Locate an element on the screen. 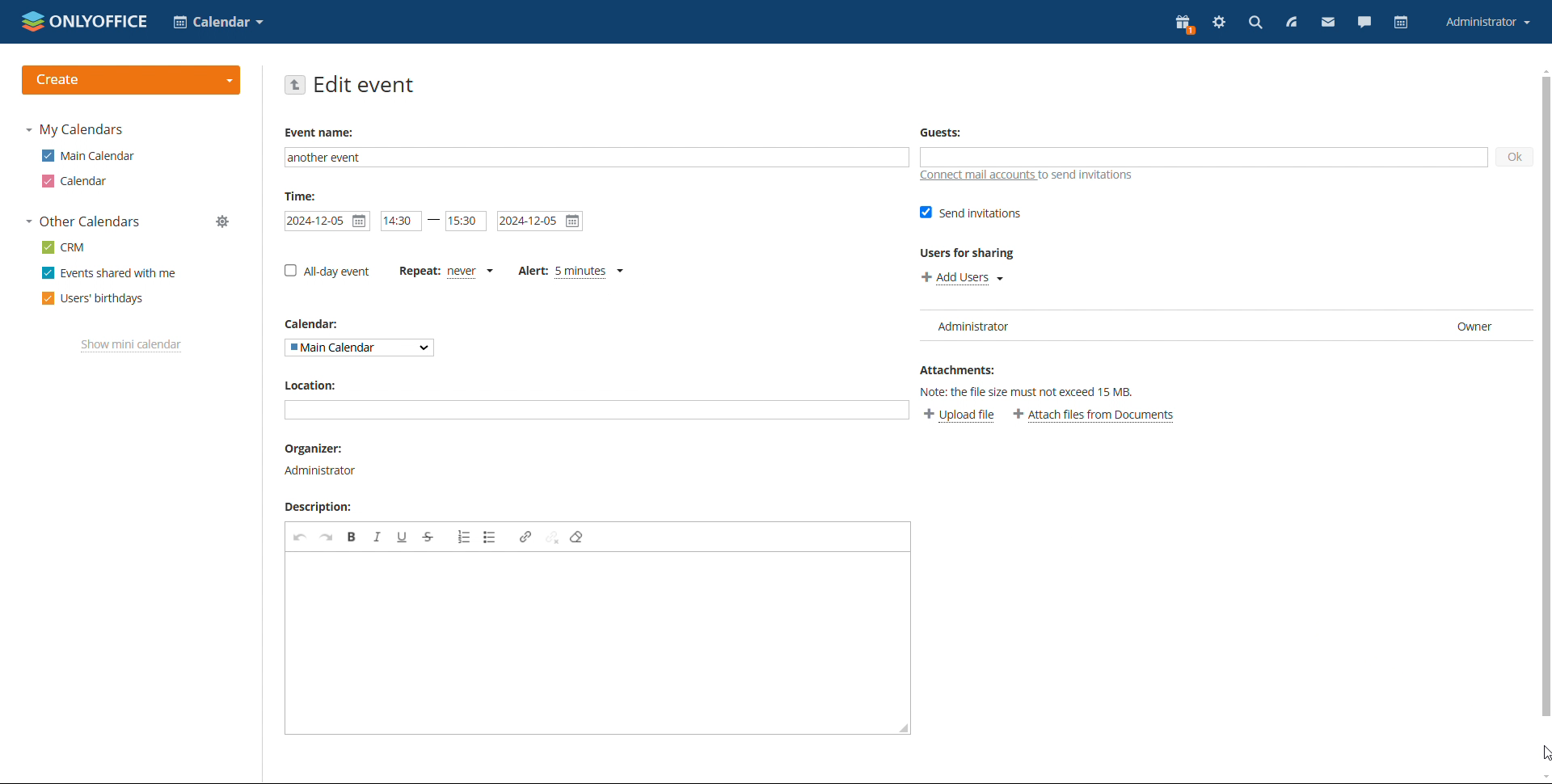  go back is located at coordinates (293, 85).